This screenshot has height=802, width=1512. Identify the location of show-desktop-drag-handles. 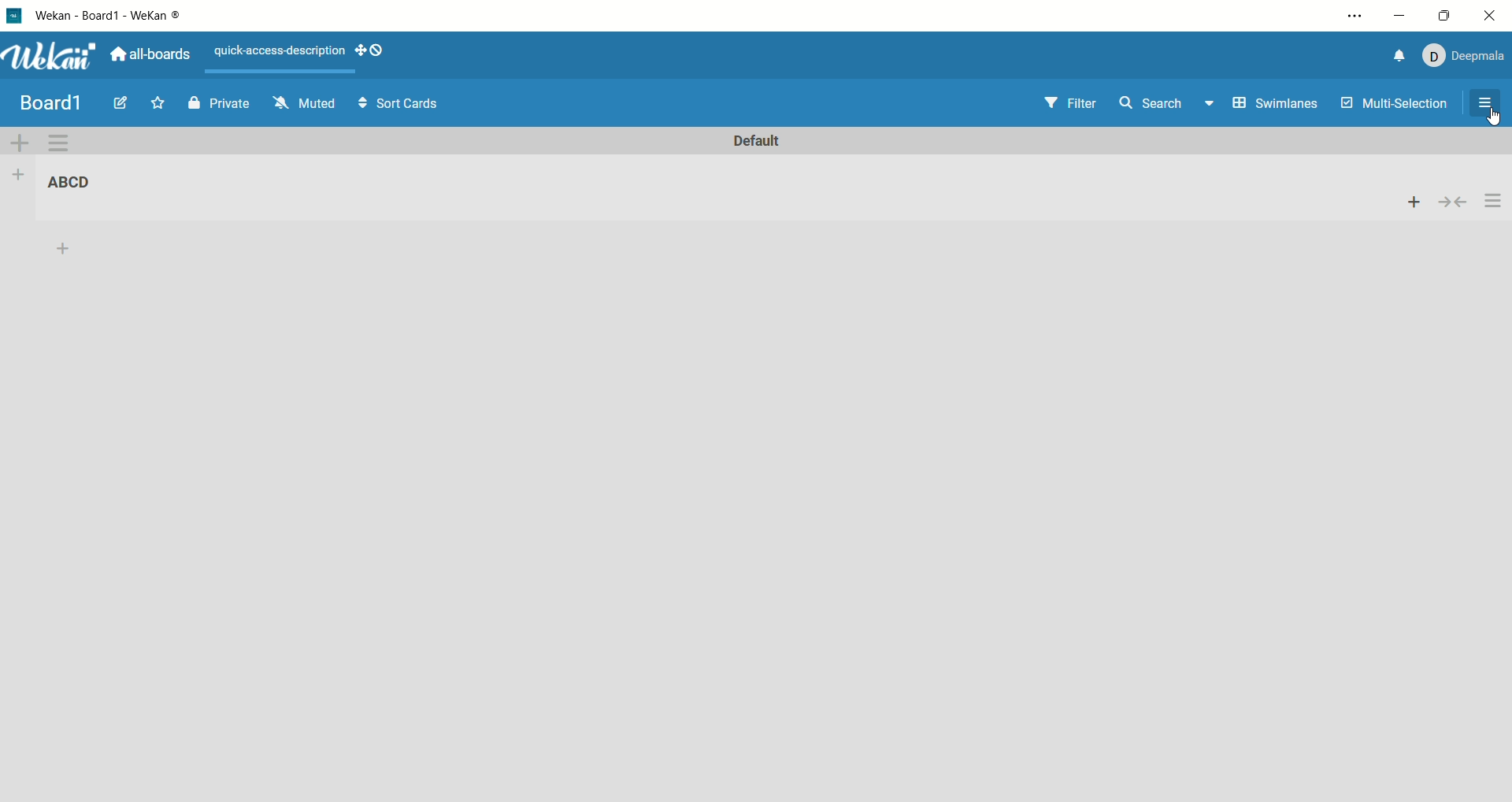
(361, 52).